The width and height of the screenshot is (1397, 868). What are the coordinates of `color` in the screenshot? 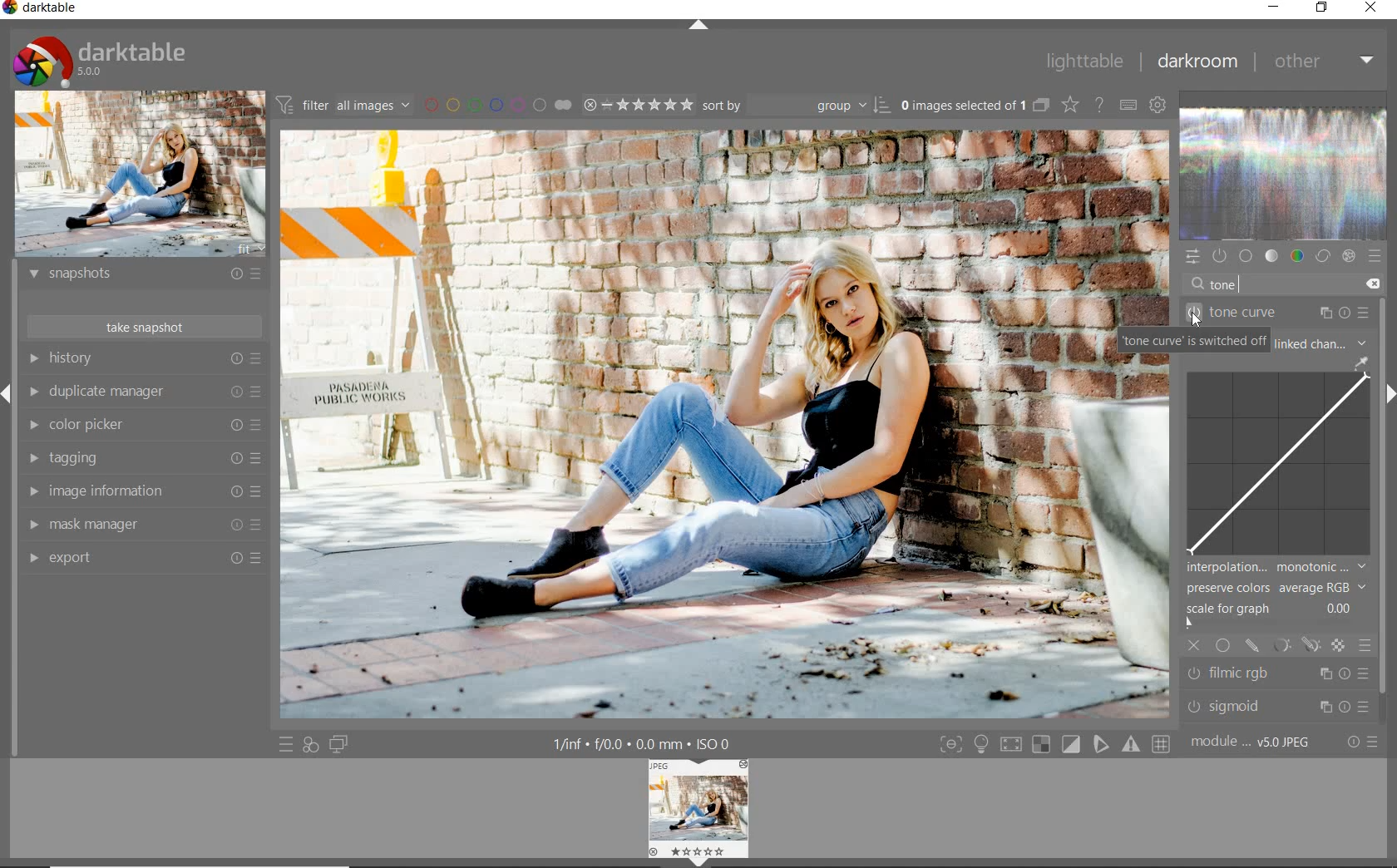 It's located at (1296, 257).